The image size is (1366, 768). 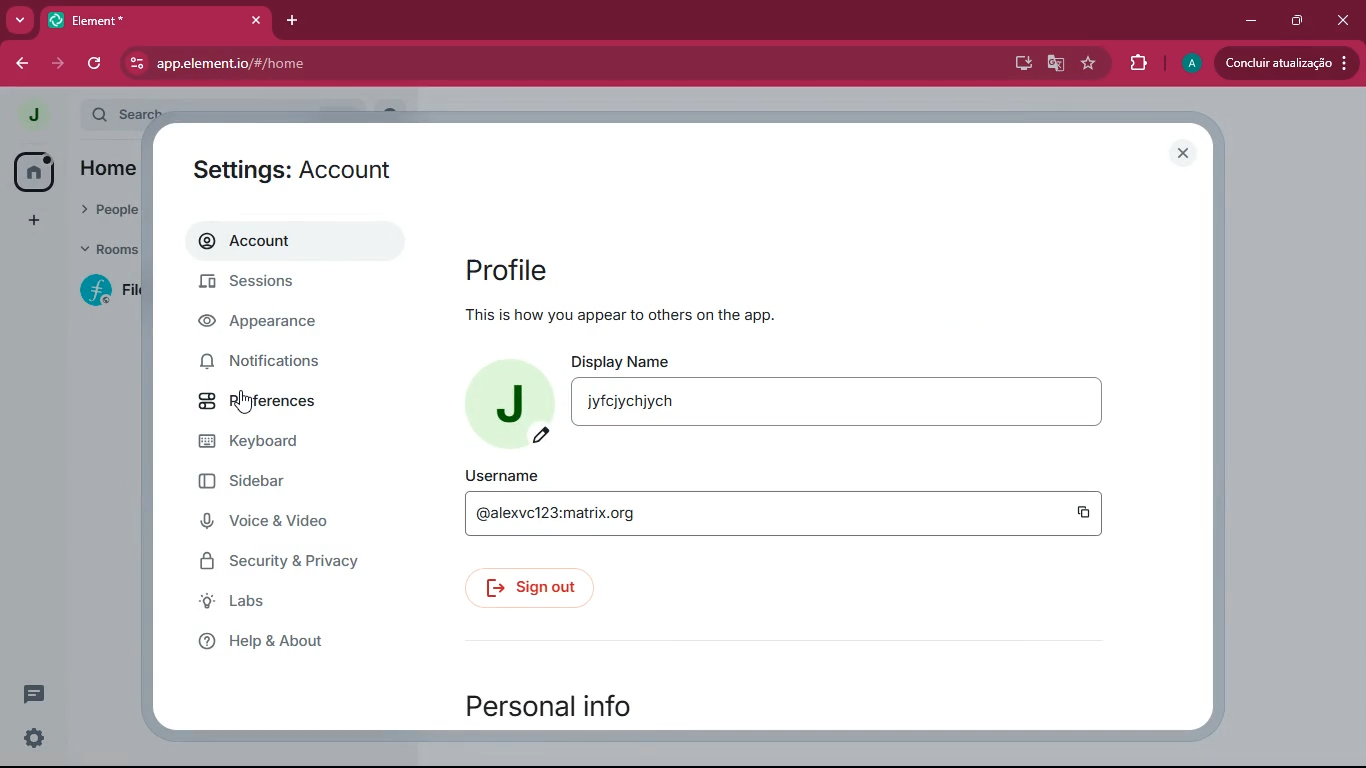 I want to click on labs, so click(x=302, y=602).